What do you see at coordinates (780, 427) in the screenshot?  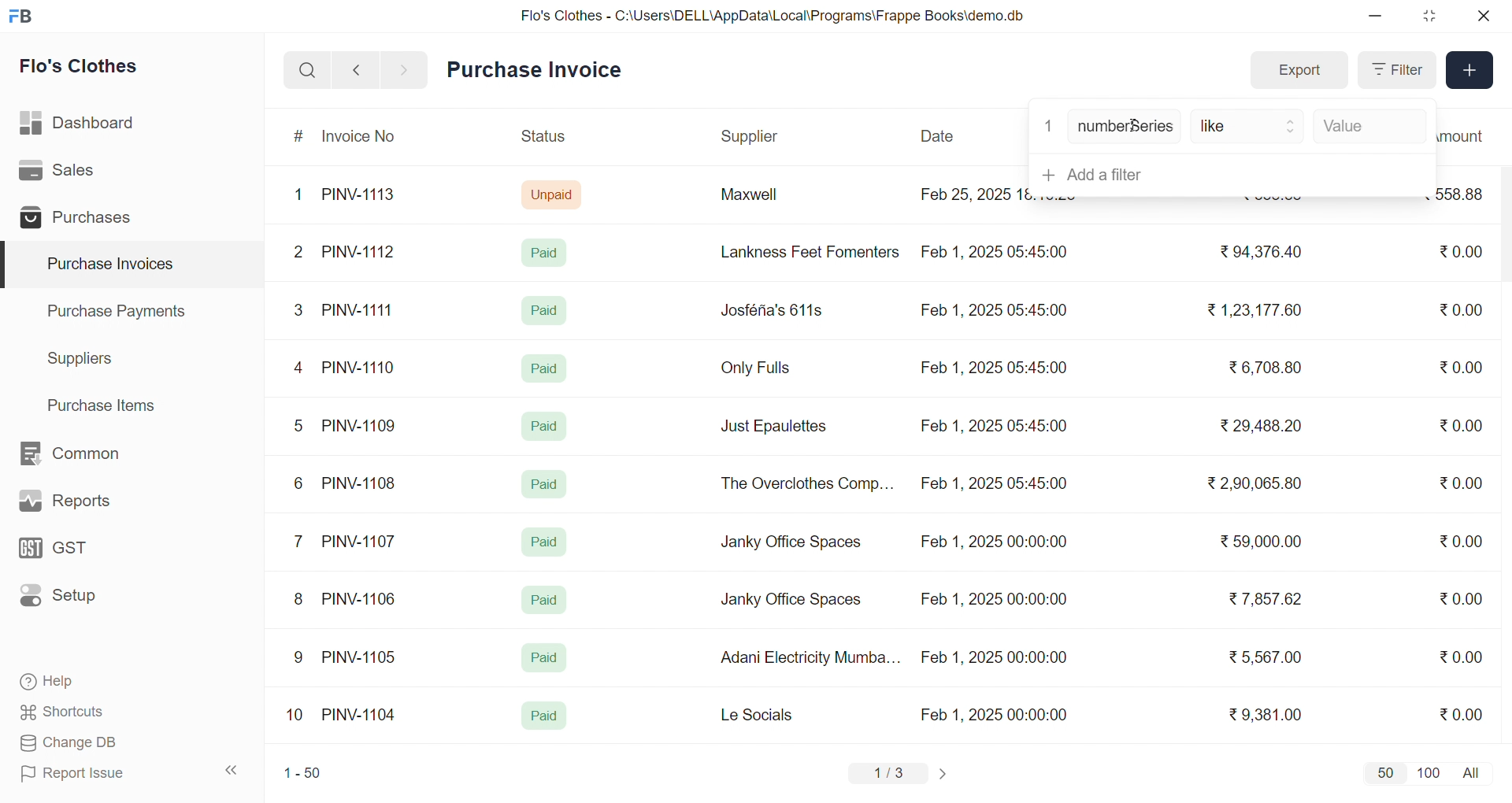 I see `Just Epaulettes` at bounding box center [780, 427].